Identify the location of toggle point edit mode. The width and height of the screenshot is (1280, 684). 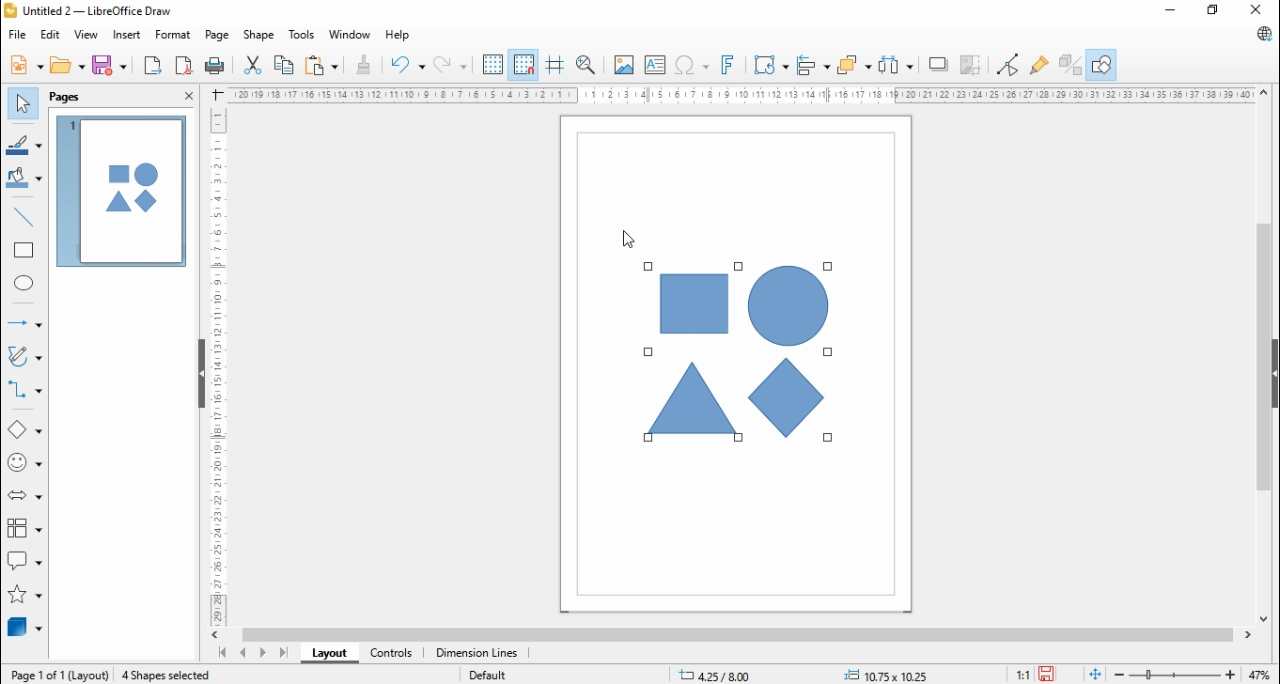
(1009, 64).